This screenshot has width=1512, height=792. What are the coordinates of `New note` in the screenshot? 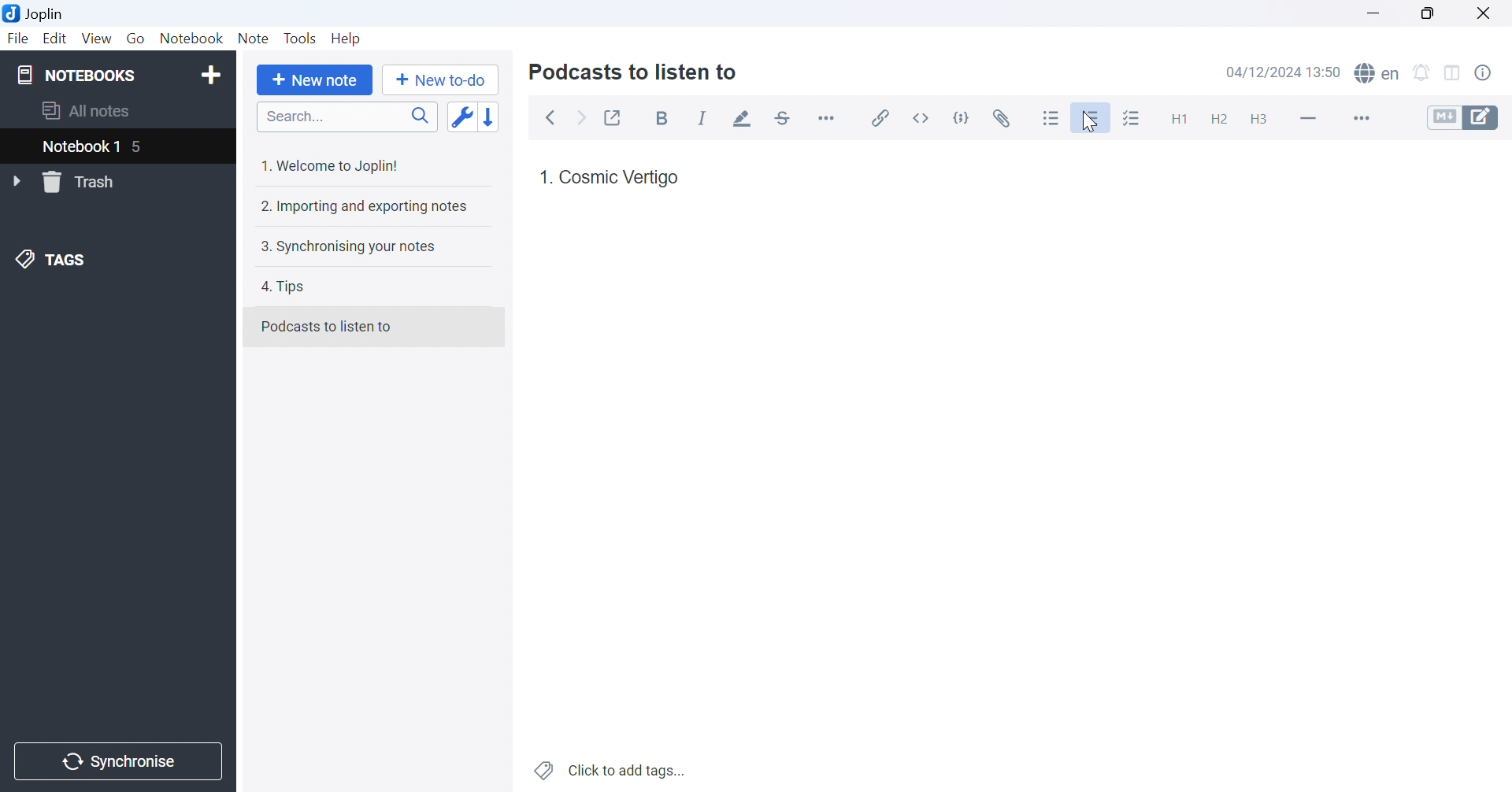 It's located at (318, 81).